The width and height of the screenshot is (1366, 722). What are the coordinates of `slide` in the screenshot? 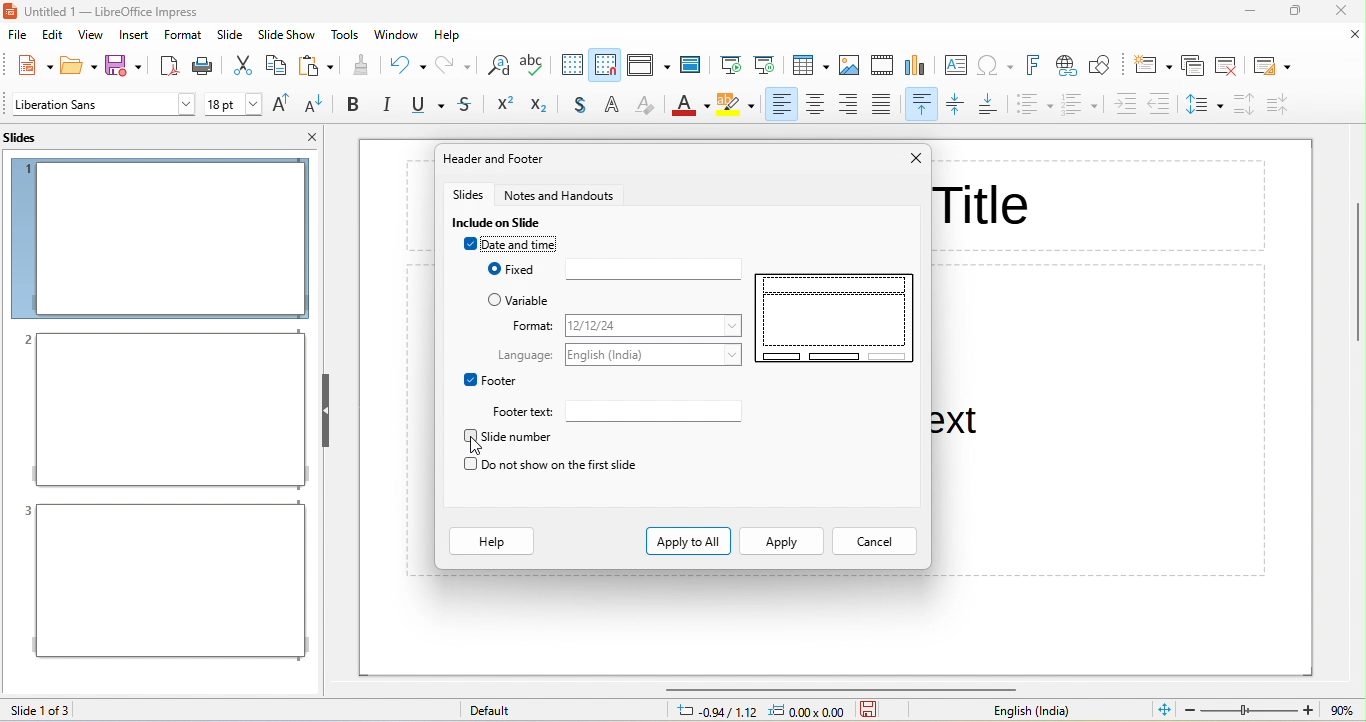 It's located at (232, 34).